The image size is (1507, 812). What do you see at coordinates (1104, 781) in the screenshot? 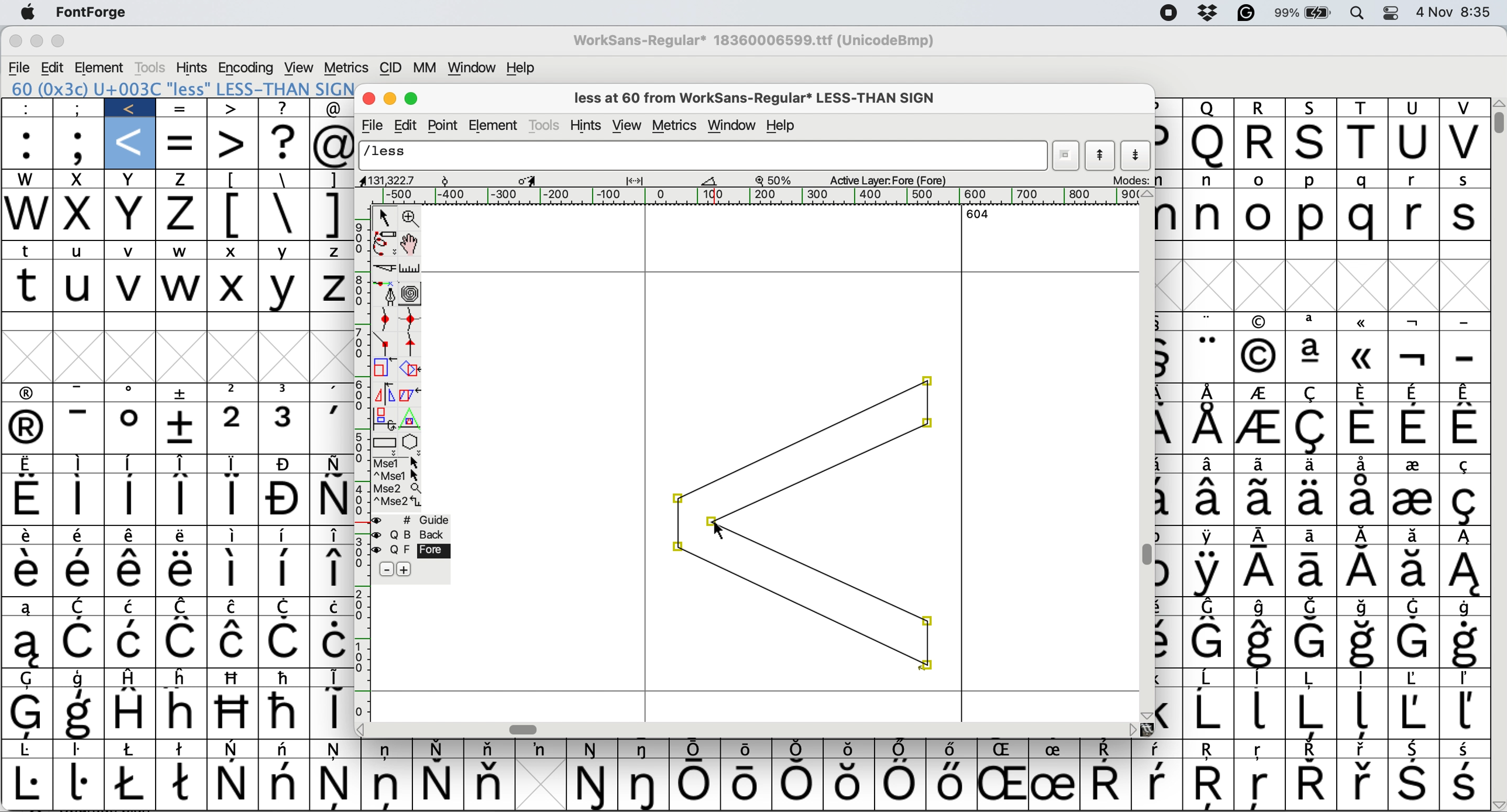
I see `Symbol` at bounding box center [1104, 781].